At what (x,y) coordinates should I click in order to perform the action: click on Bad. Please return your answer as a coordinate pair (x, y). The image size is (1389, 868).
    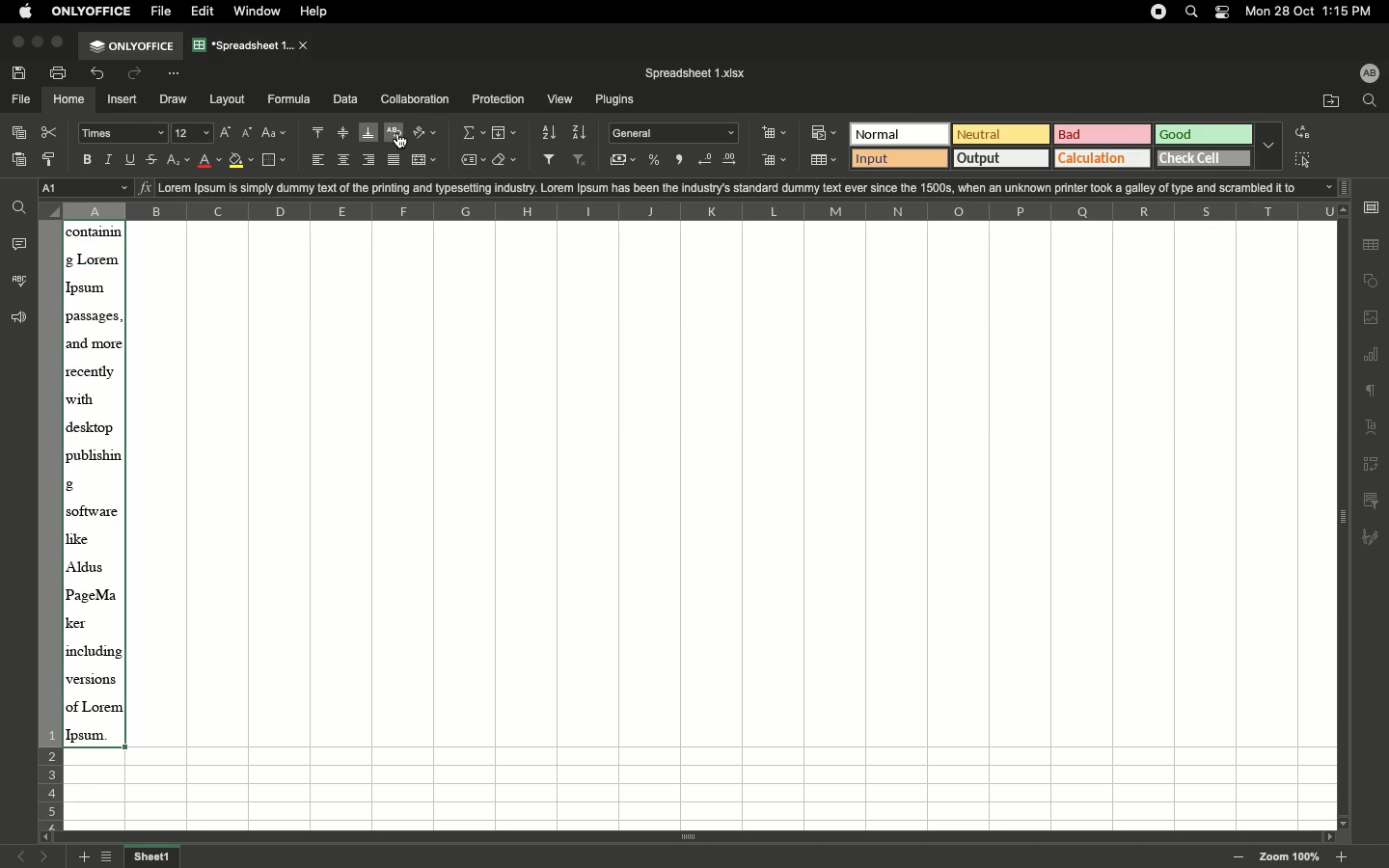
    Looking at the image, I should click on (1103, 134).